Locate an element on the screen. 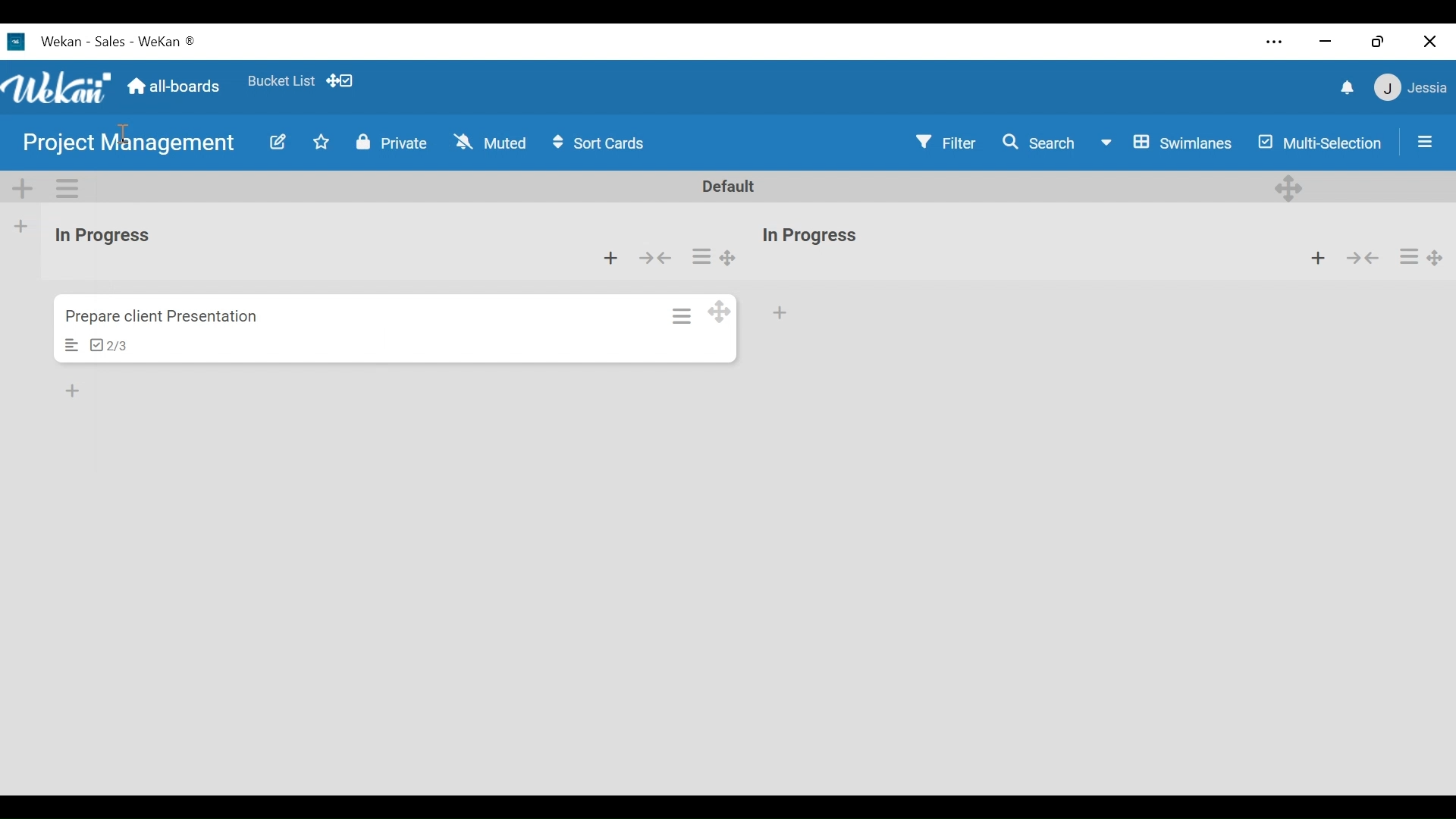 Image resolution: width=1456 pixels, height=819 pixels. Card Title is located at coordinates (166, 318).